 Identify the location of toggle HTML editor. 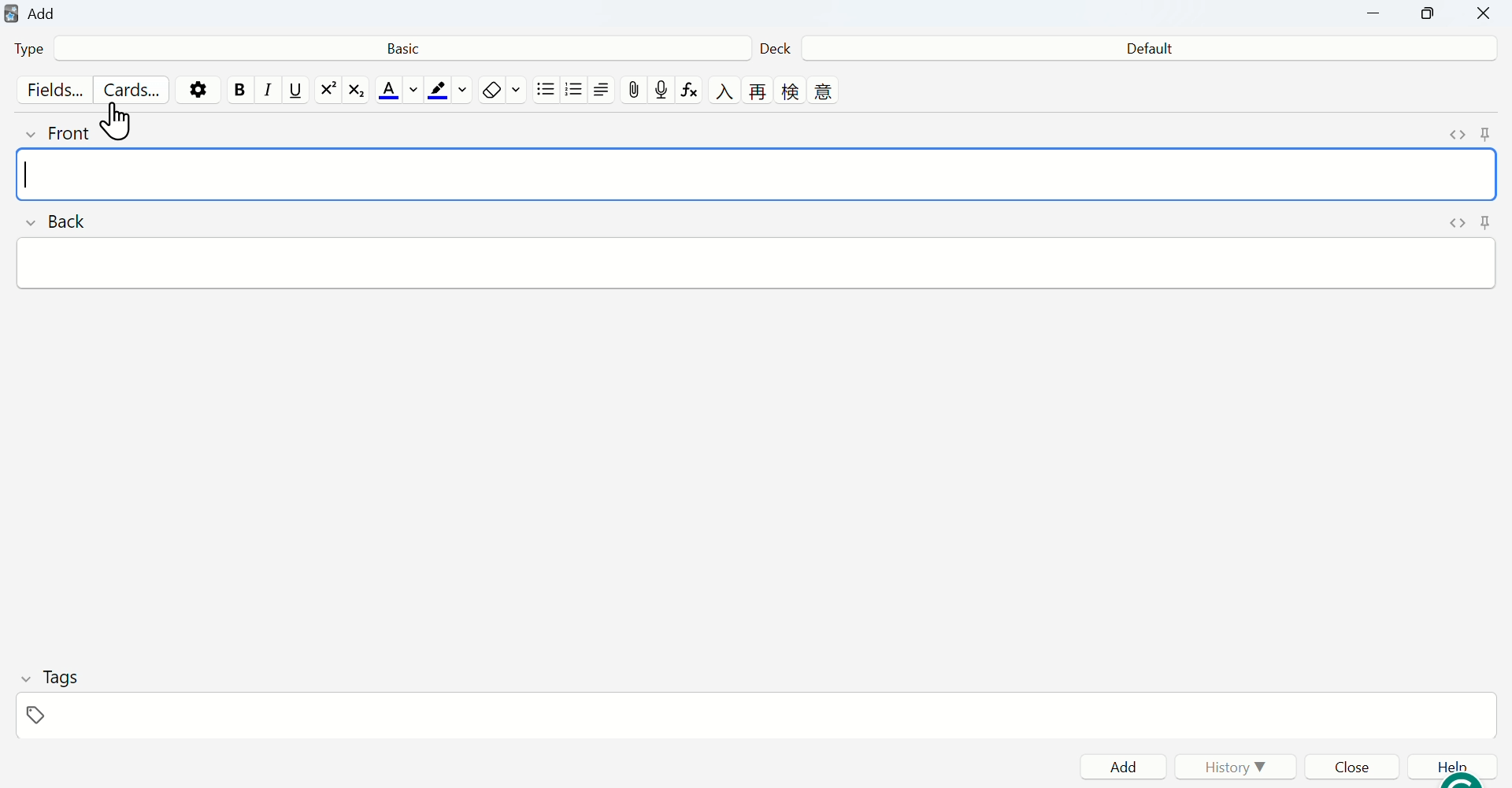
(1458, 134).